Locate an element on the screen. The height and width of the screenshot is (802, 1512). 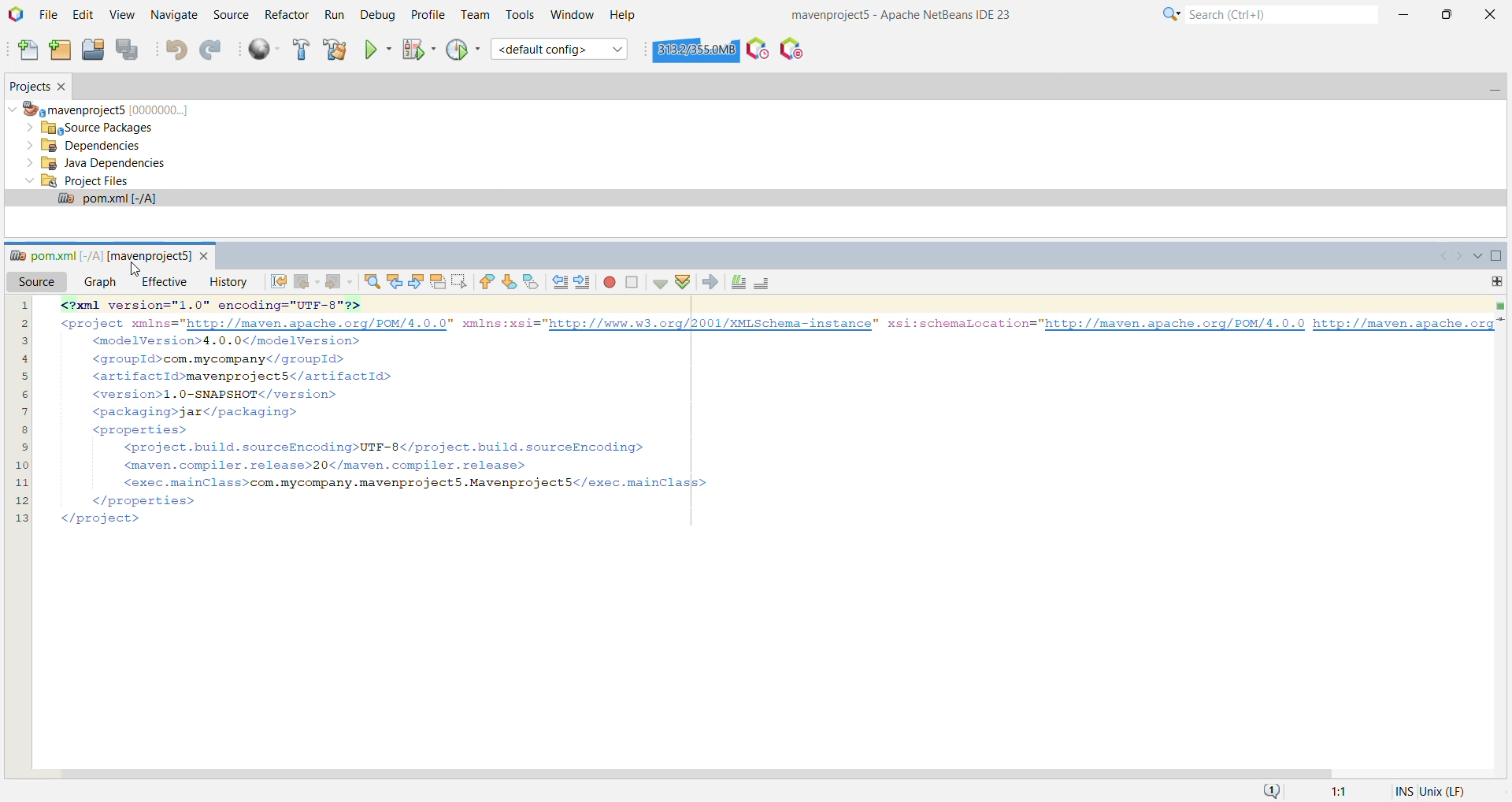
<artifactlIdimavenprojectsS</artifactlId> is located at coordinates (249, 377).